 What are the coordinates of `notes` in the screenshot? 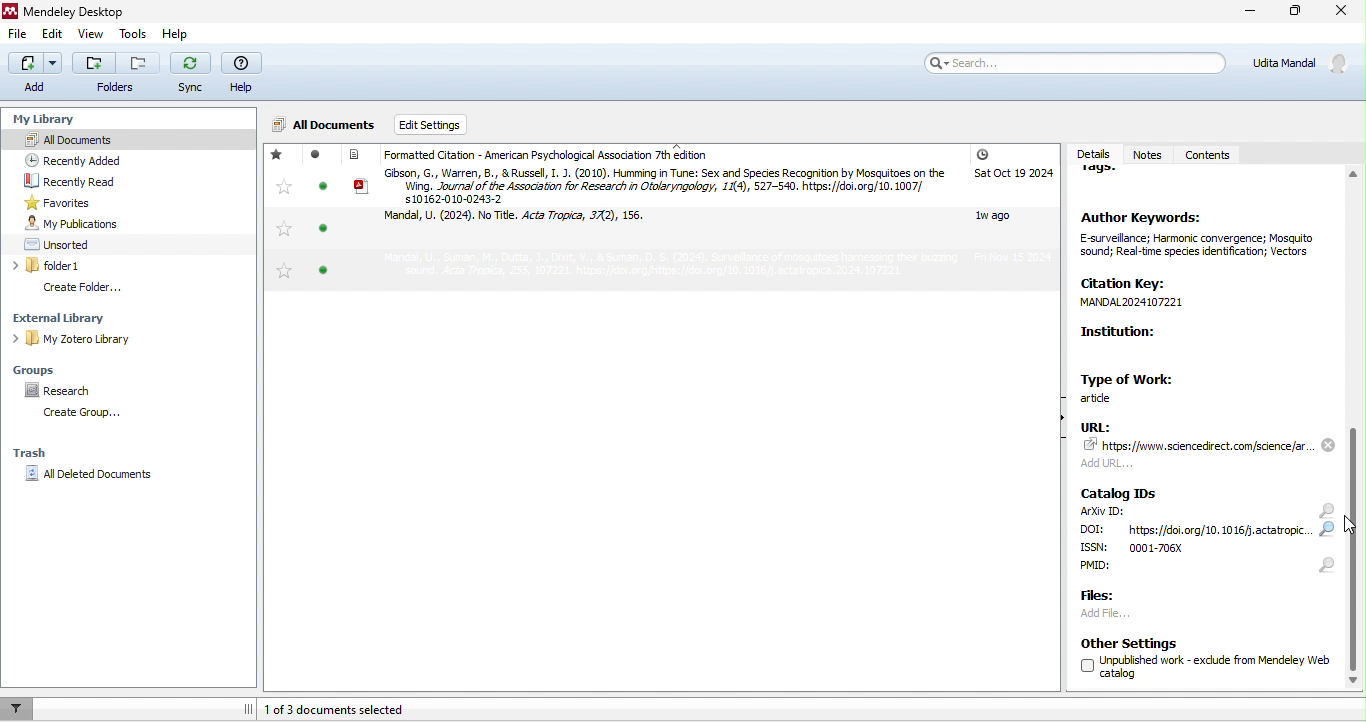 It's located at (1147, 147).